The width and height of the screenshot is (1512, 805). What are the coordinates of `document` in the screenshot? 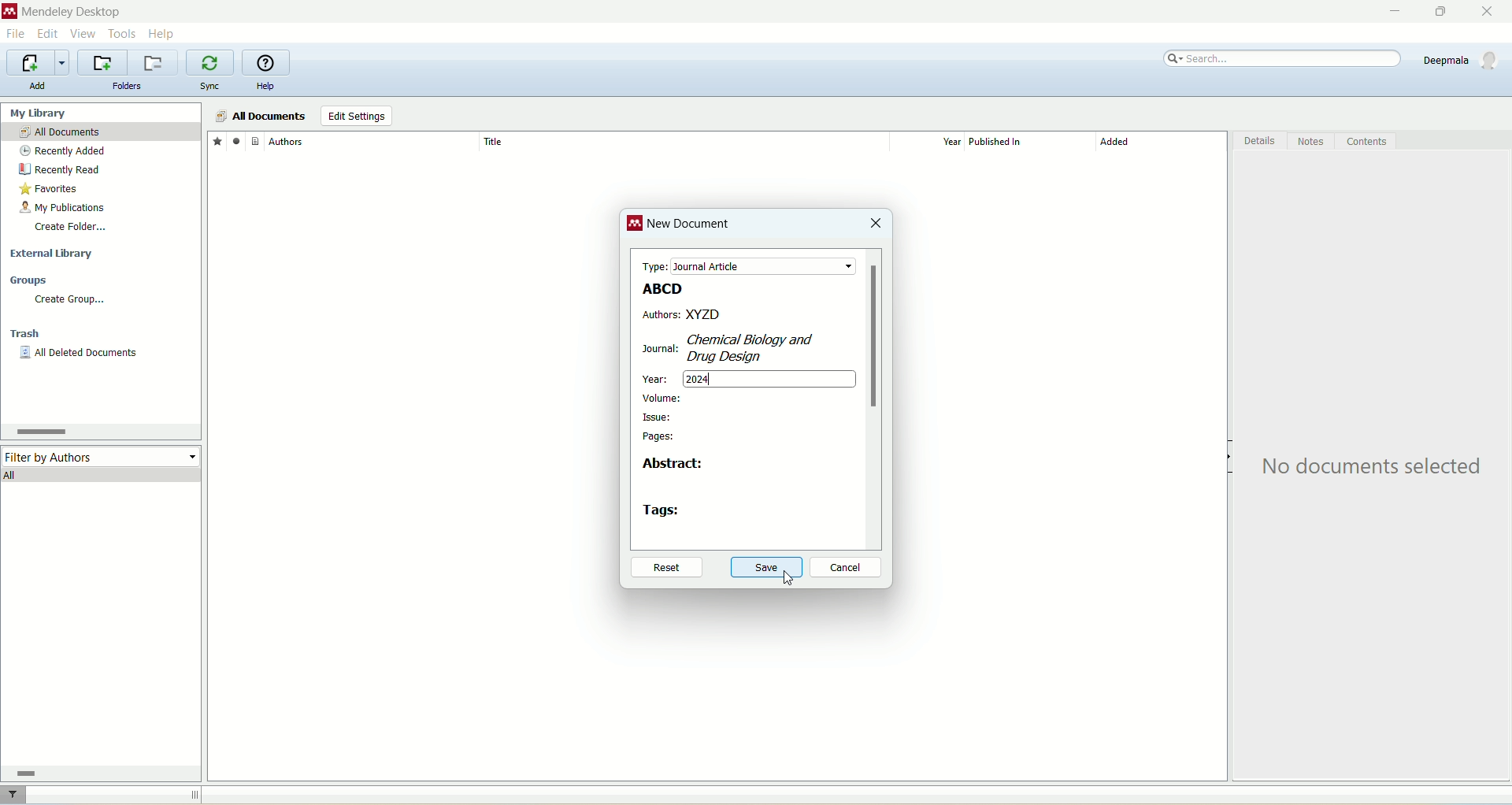 It's located at (255, 140).